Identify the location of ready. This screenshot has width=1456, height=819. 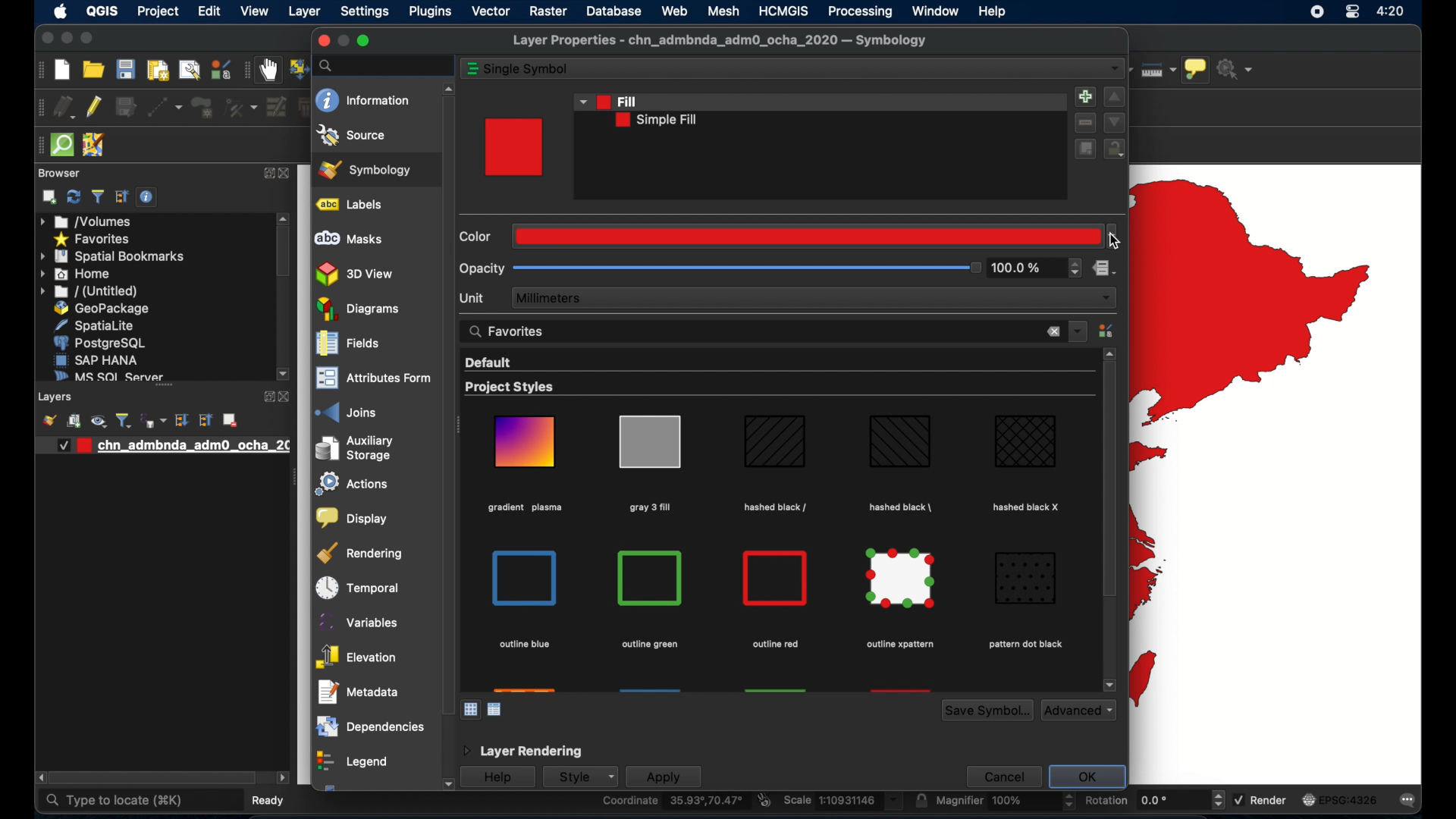
(272, 799).